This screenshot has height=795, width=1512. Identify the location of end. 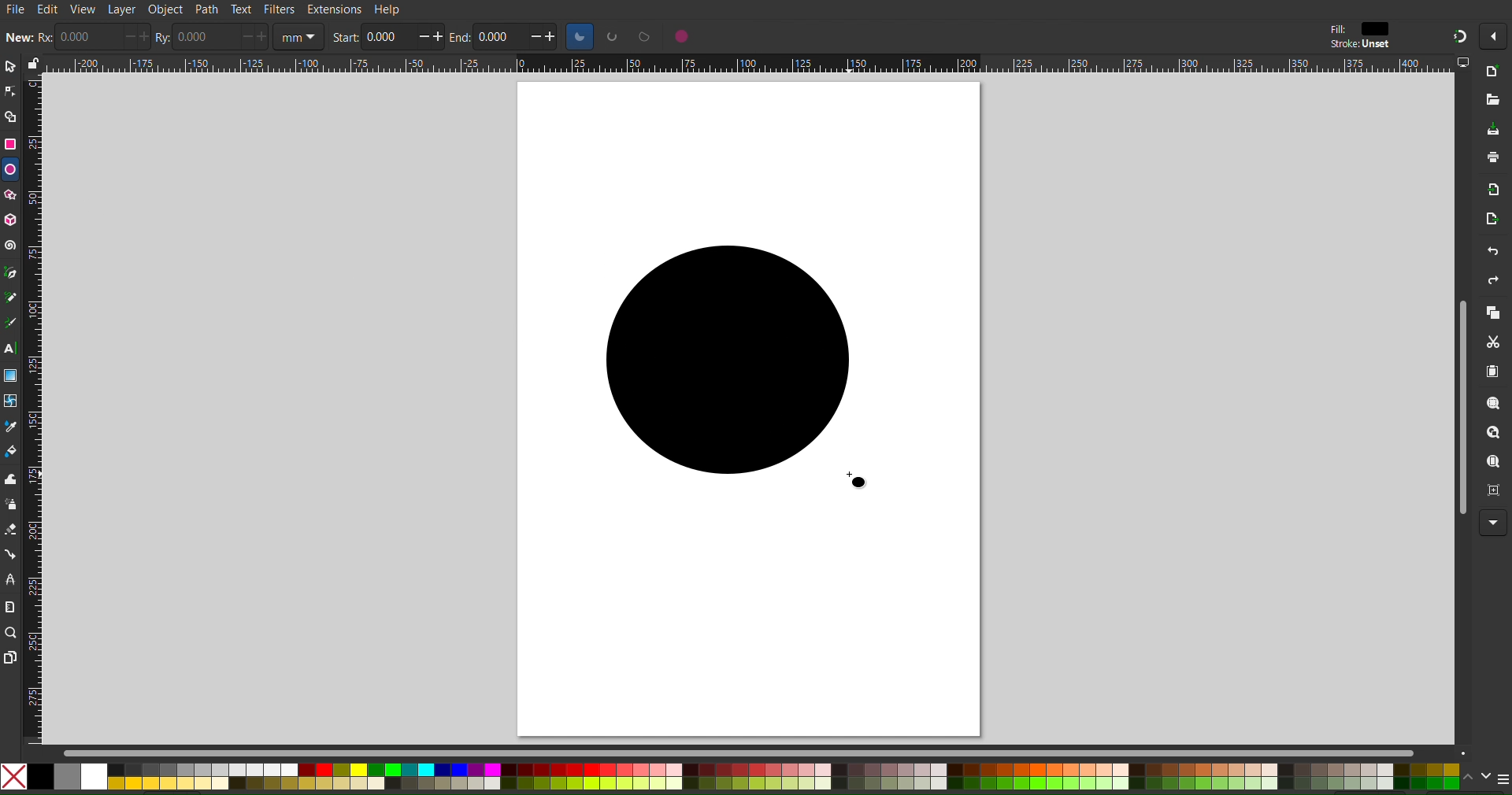
(458, 40).